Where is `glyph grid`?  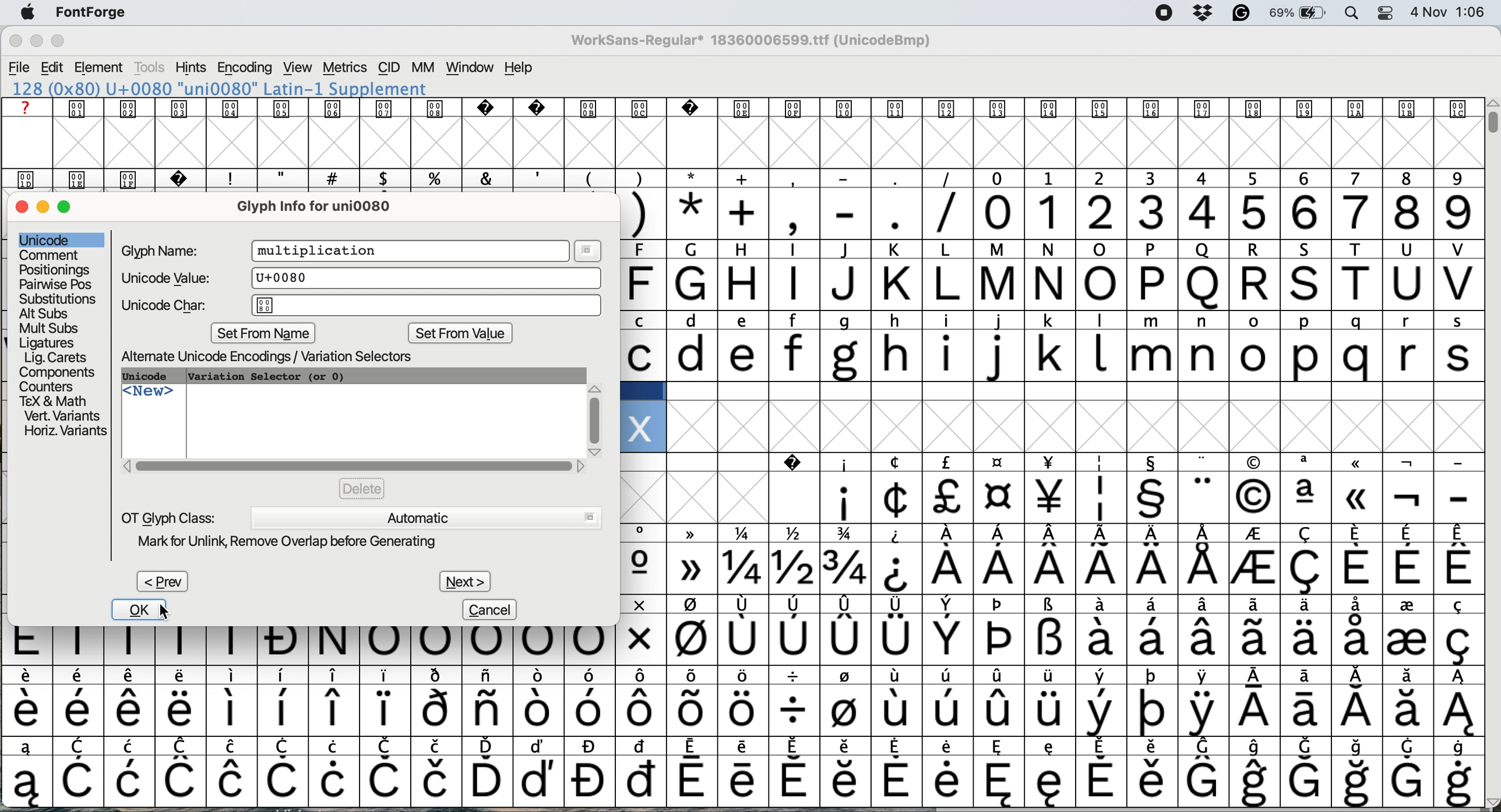
glyph grid is located at coordinates (1085, 428).